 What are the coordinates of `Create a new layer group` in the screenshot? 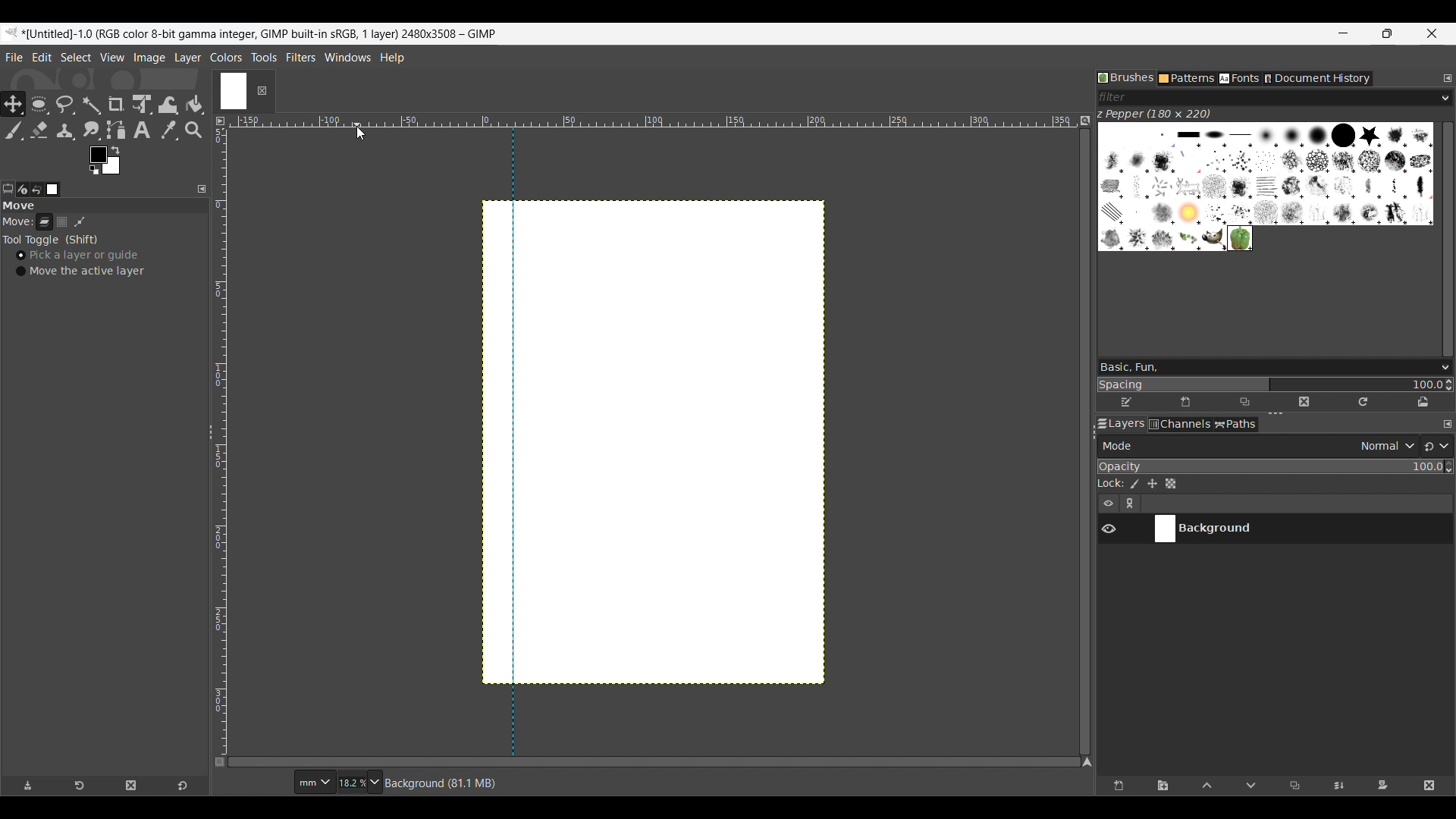 It's located at (1164, 786).